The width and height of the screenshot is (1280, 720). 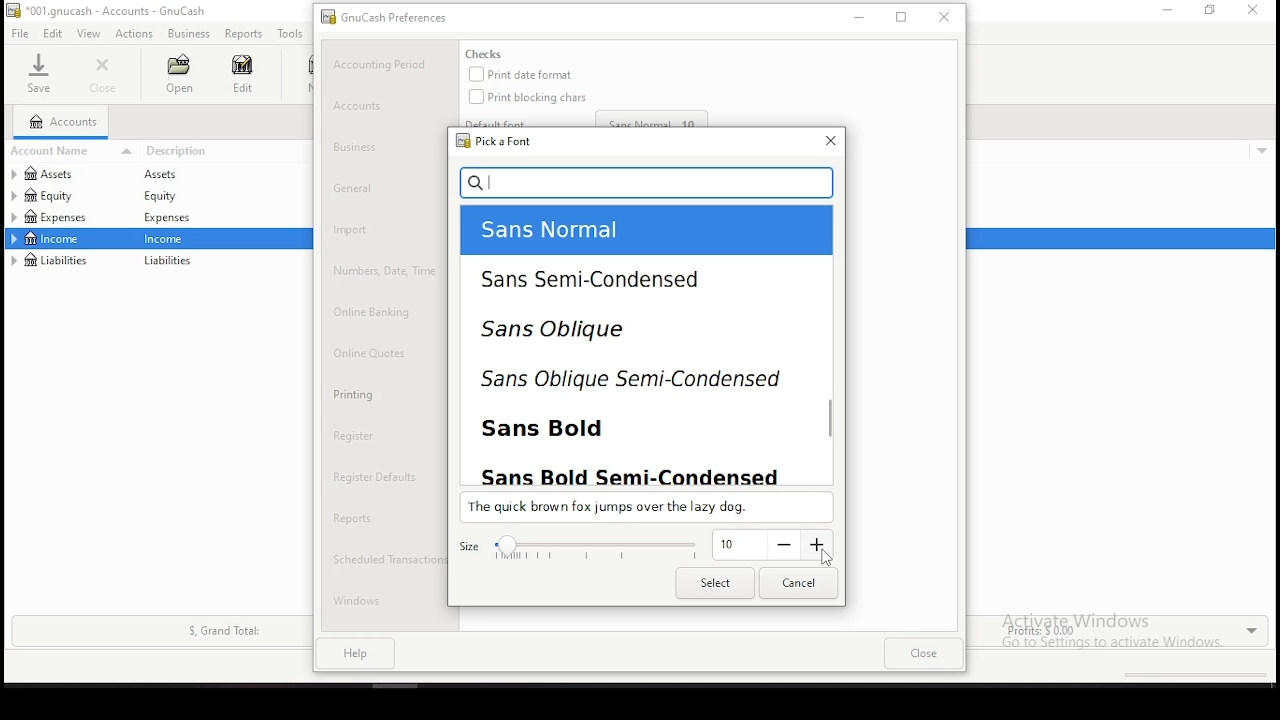 I want to click on save, so click(x=38, y=73).